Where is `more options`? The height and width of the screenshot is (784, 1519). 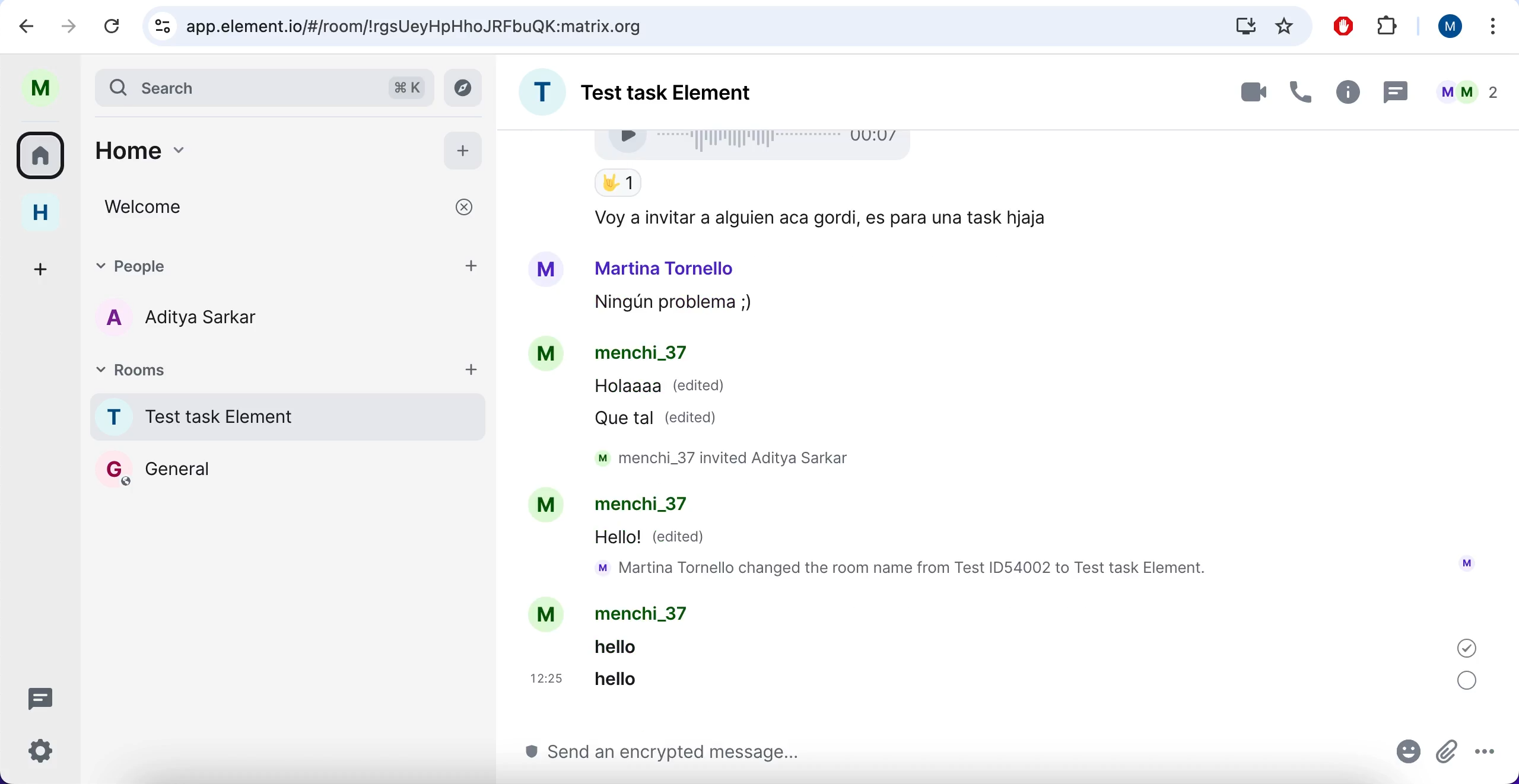 more options is located at coordinates (1484, 752).